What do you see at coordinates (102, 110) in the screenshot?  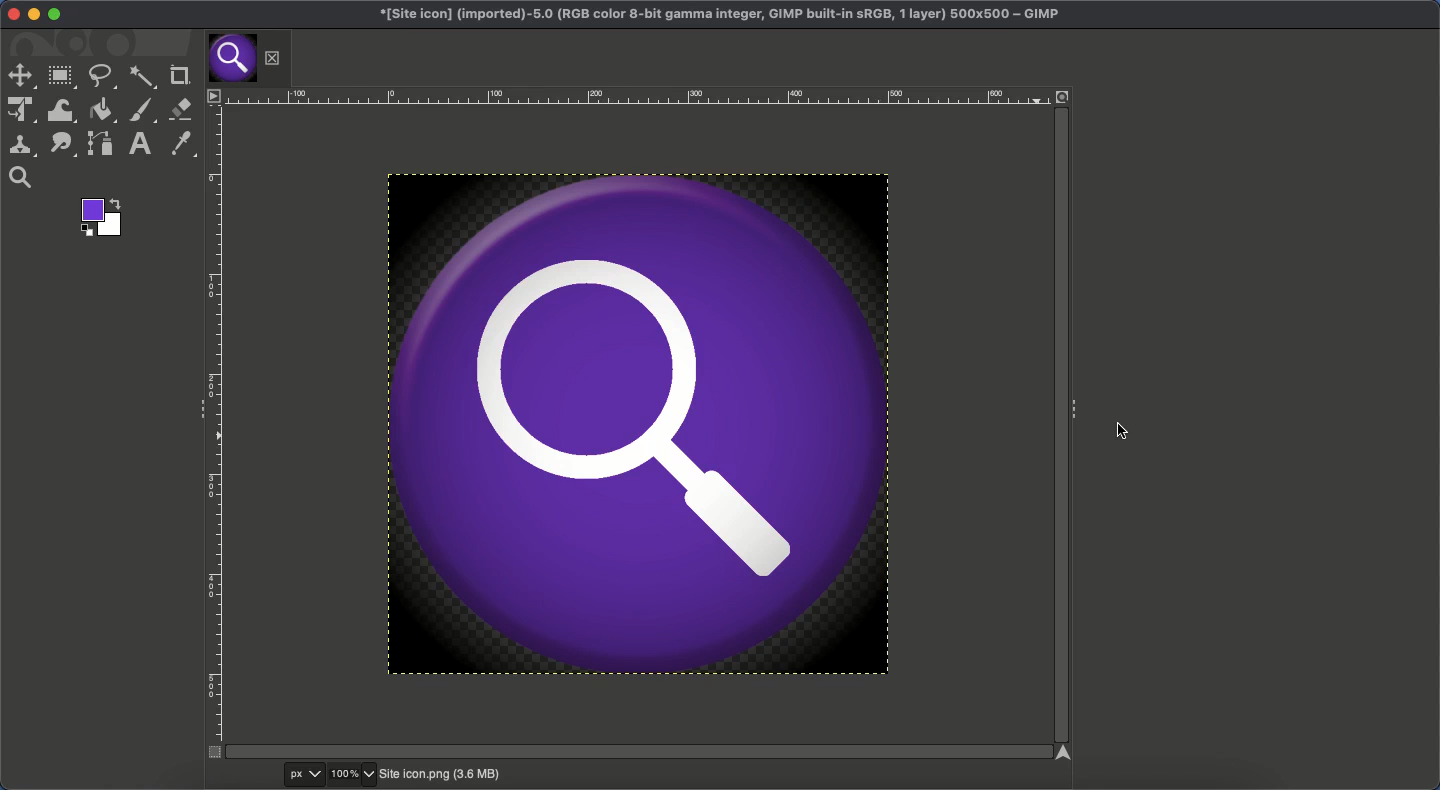 I see `Fill color` at bounding box center [102, 110].